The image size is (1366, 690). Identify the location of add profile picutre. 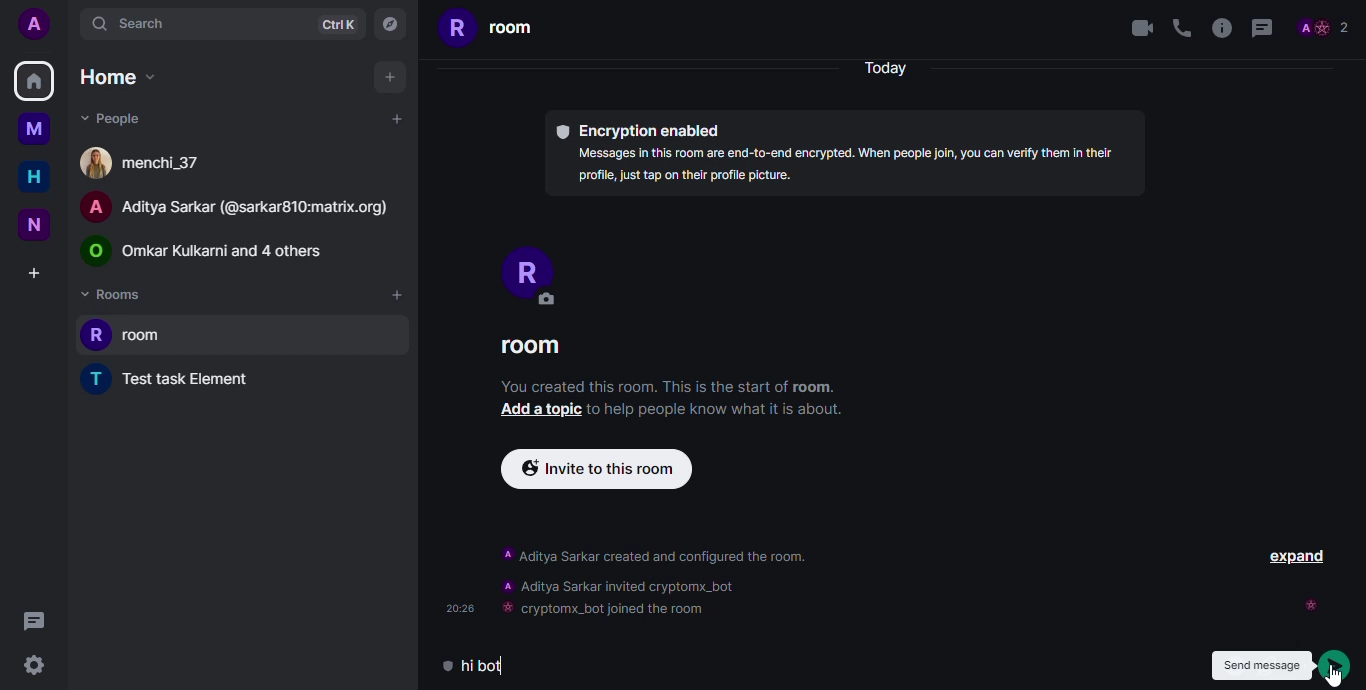
(33, 23).